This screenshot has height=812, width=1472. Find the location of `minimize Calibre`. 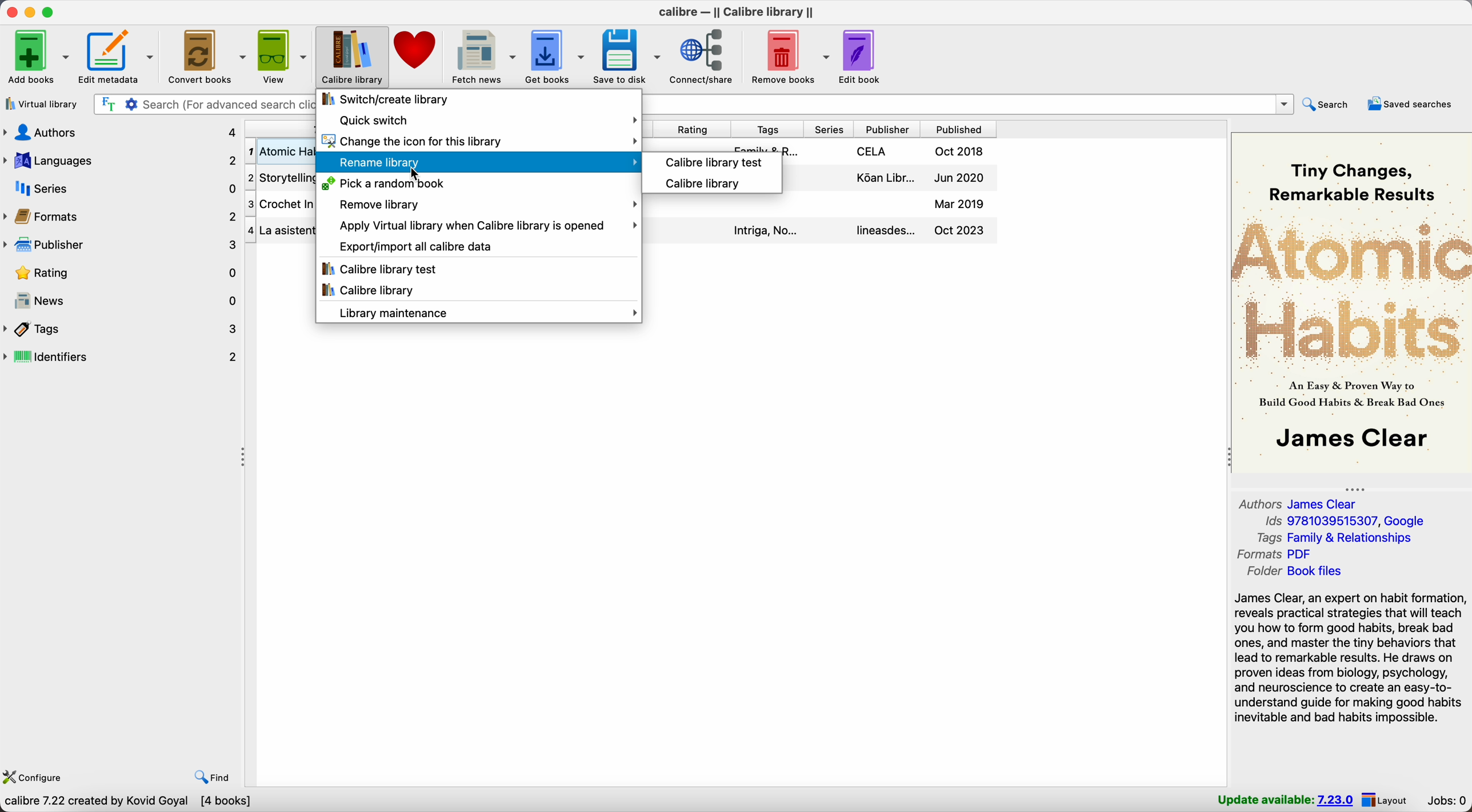

minimize Calibre is located at coordinates (30, 13).